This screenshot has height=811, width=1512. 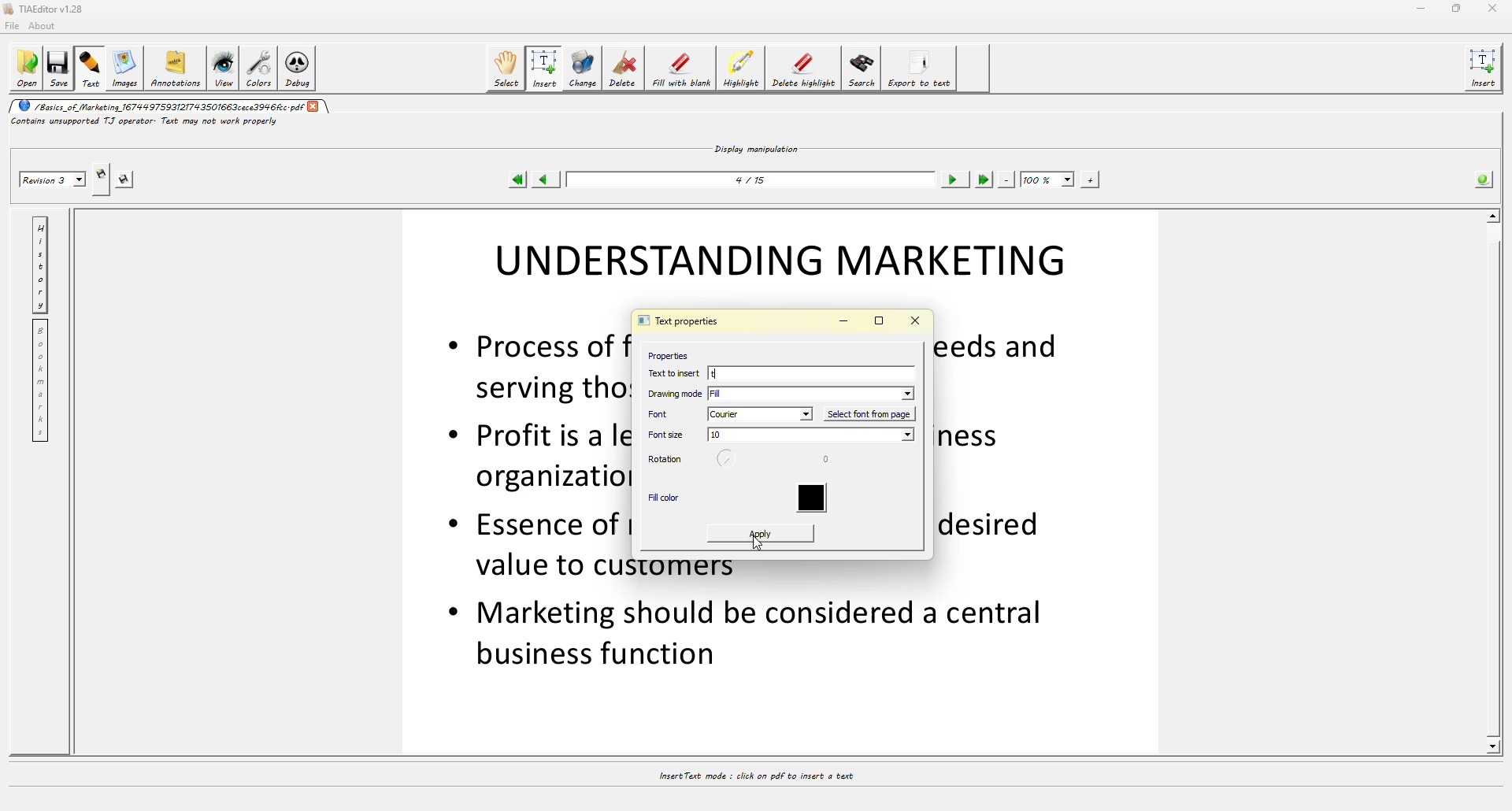 What do you see at coordinates (810, 436) in the screenshot?
I see `size` at bounding box center [810, 436].